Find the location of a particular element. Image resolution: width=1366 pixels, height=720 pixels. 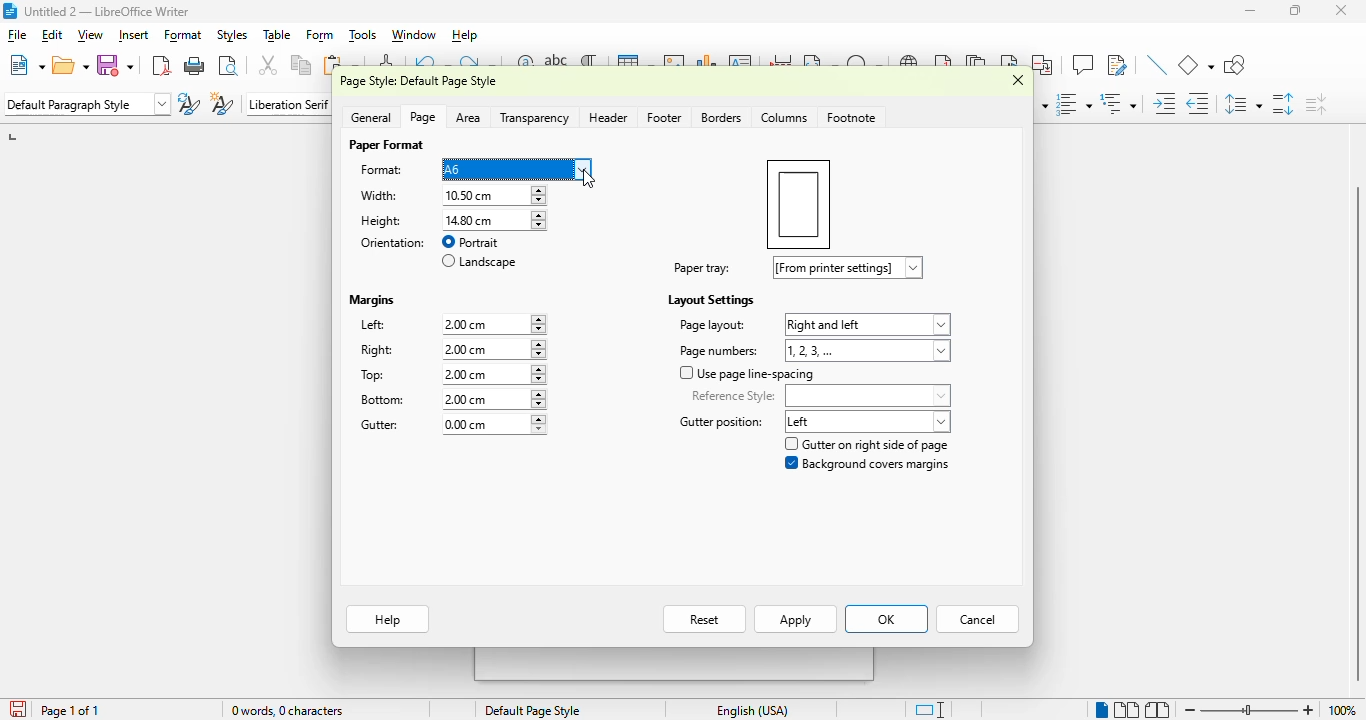

toggle print preview is located at coordinates (230, 66).